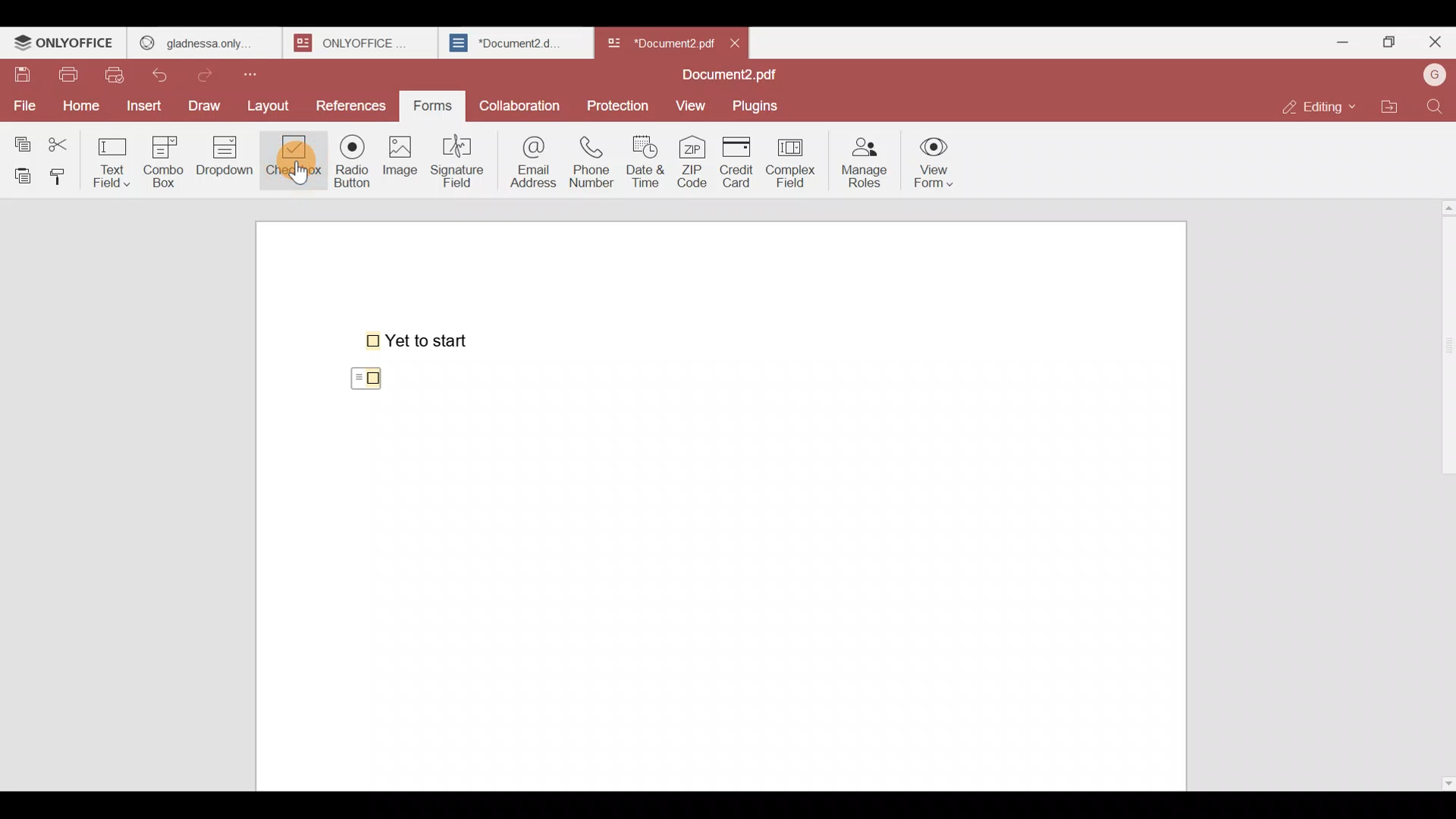  I want to click on Home, so click(78, 105).